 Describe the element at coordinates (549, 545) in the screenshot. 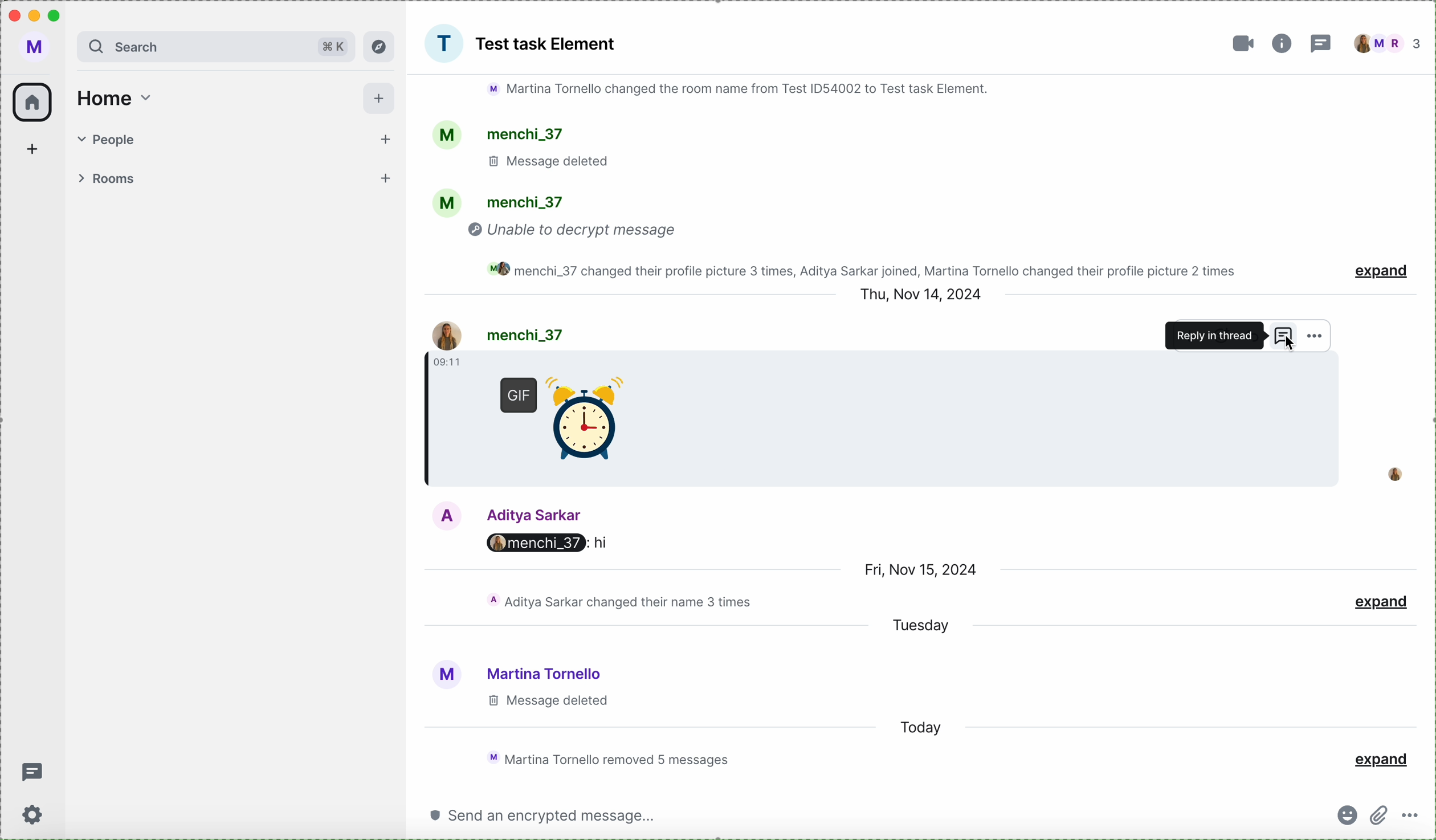

I see `Aditya's message` at that location.